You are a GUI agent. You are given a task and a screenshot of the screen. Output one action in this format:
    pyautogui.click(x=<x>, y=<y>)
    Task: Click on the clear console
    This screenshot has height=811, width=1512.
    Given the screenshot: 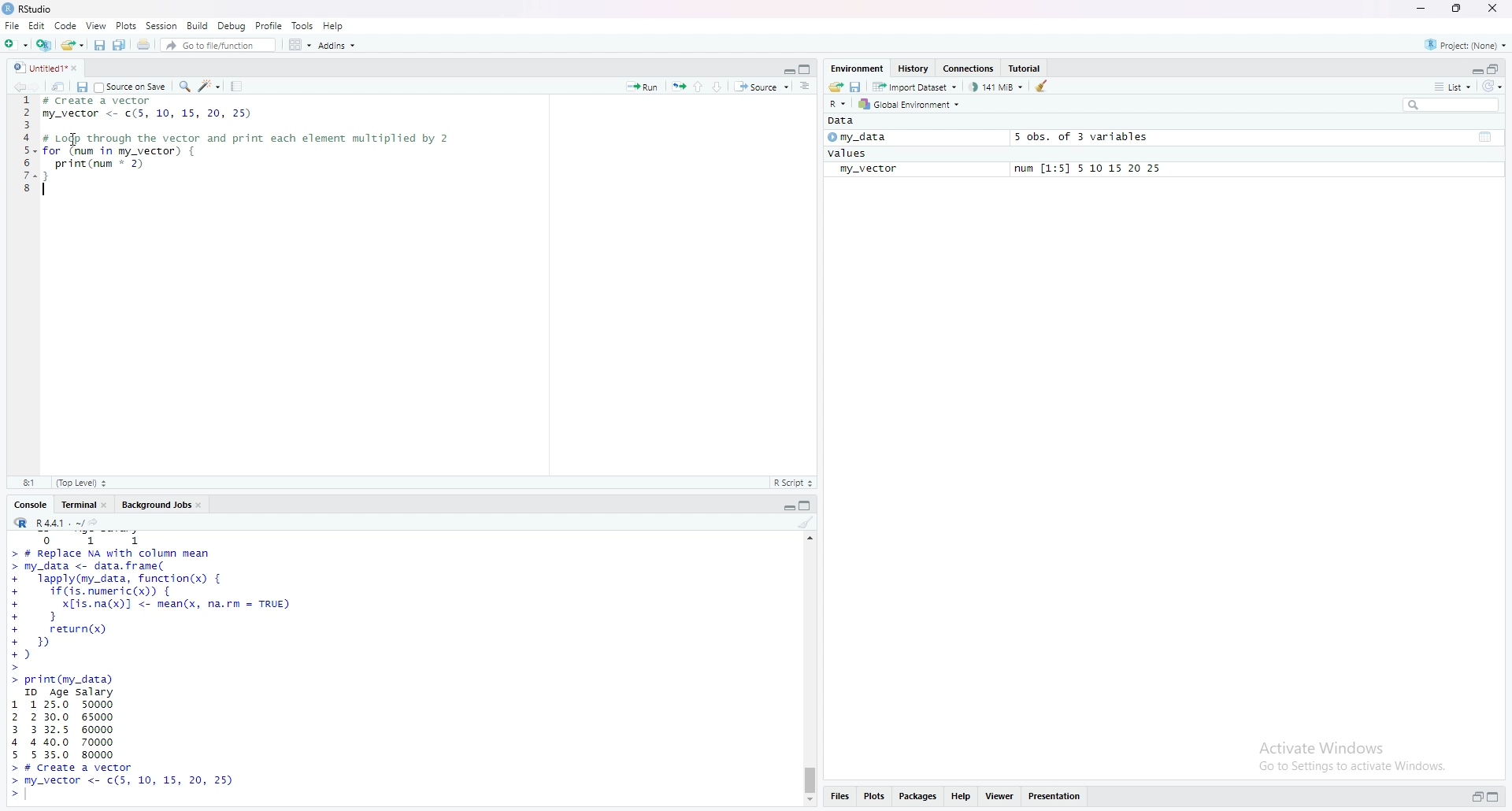 What is the action you would take?
    pyautogui.click(x=806, y=523)
    